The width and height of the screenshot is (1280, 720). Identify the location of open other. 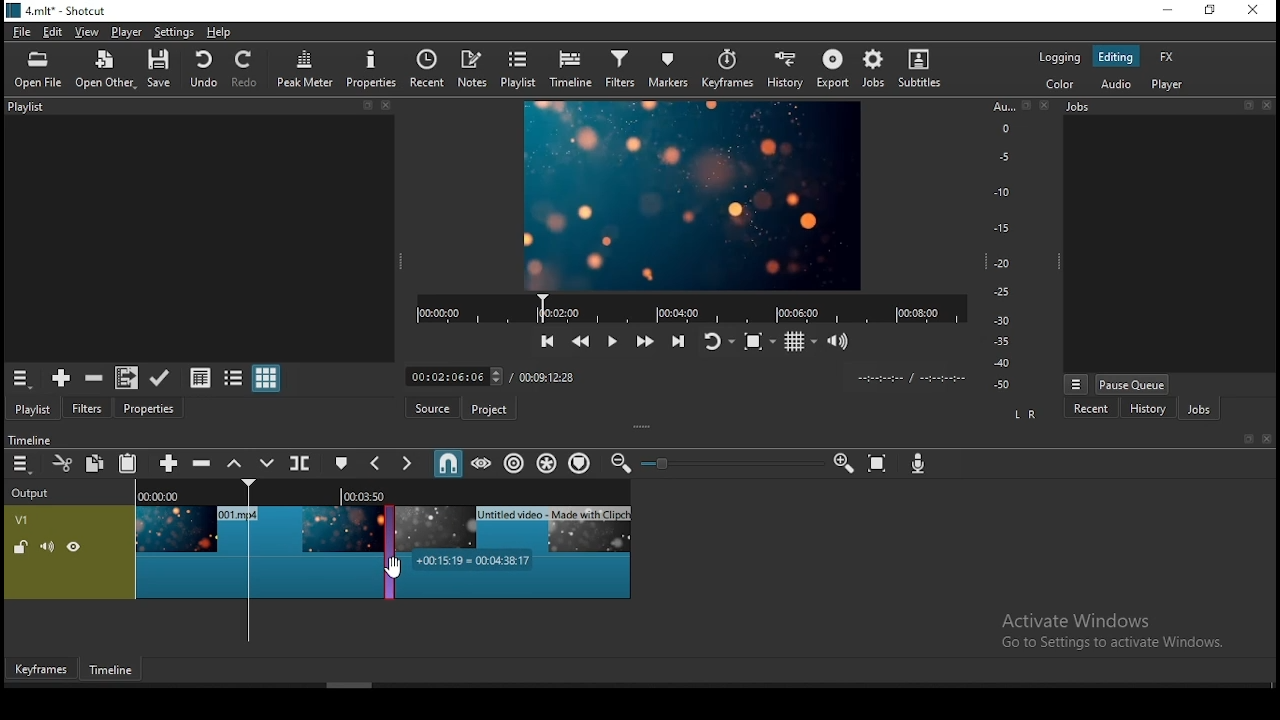
(107, 70).